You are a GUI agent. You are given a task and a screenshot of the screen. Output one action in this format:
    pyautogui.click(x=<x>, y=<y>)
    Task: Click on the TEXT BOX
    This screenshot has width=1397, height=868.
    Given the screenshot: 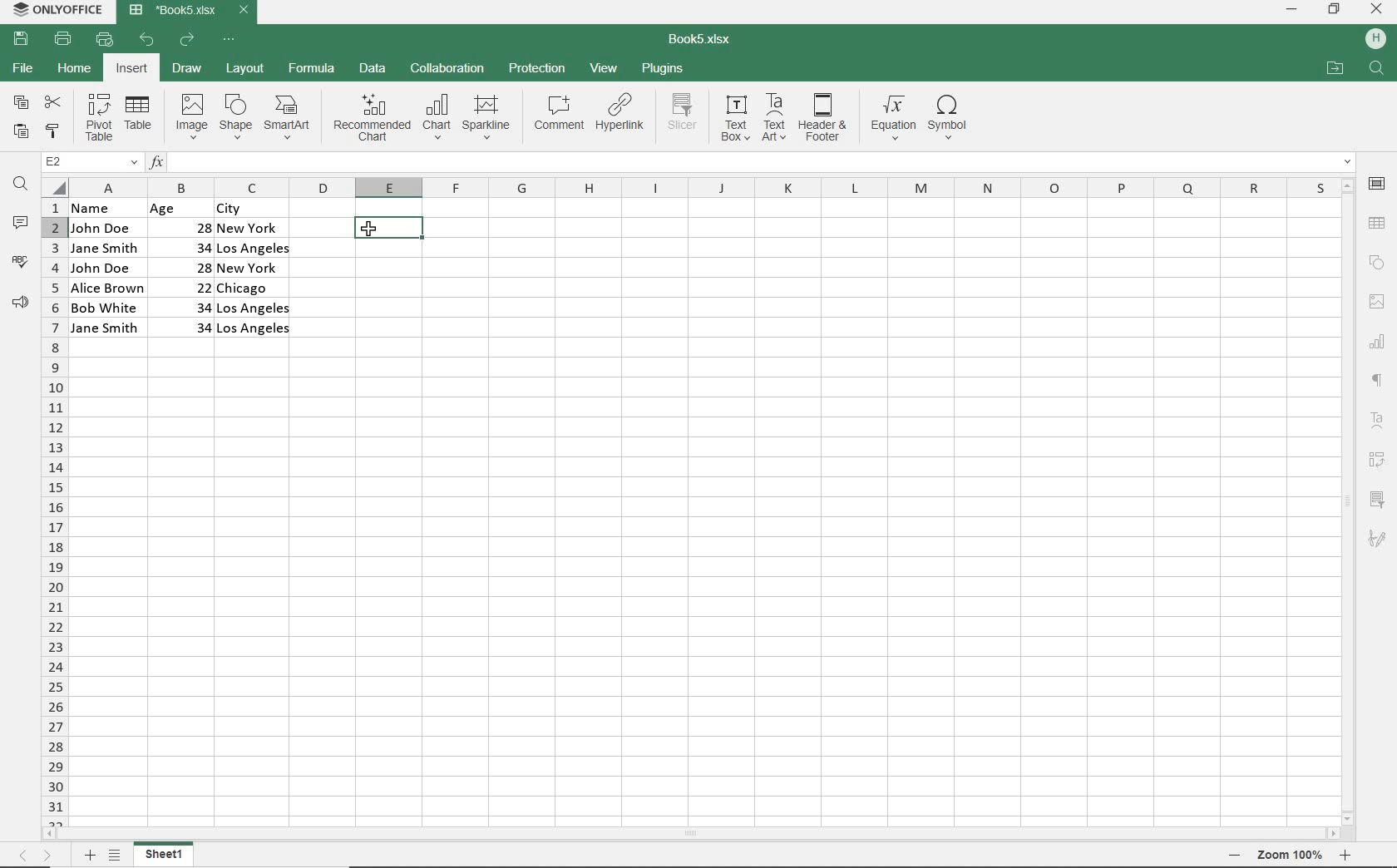 What is the action you would take?
    pyautogui.click(x=733, y=121)
    